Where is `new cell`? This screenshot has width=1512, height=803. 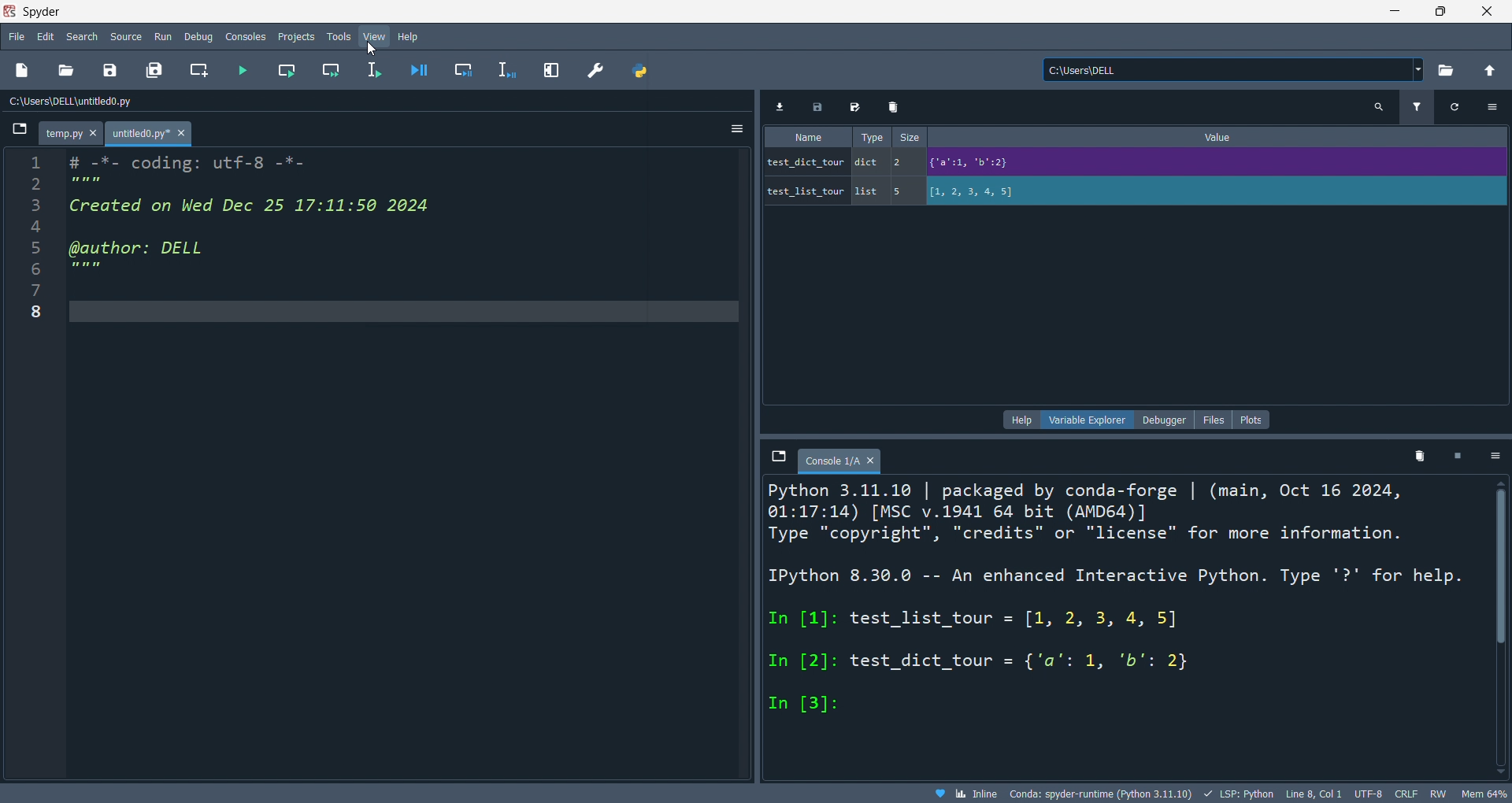
new cell is located at coordinates (197, 71).